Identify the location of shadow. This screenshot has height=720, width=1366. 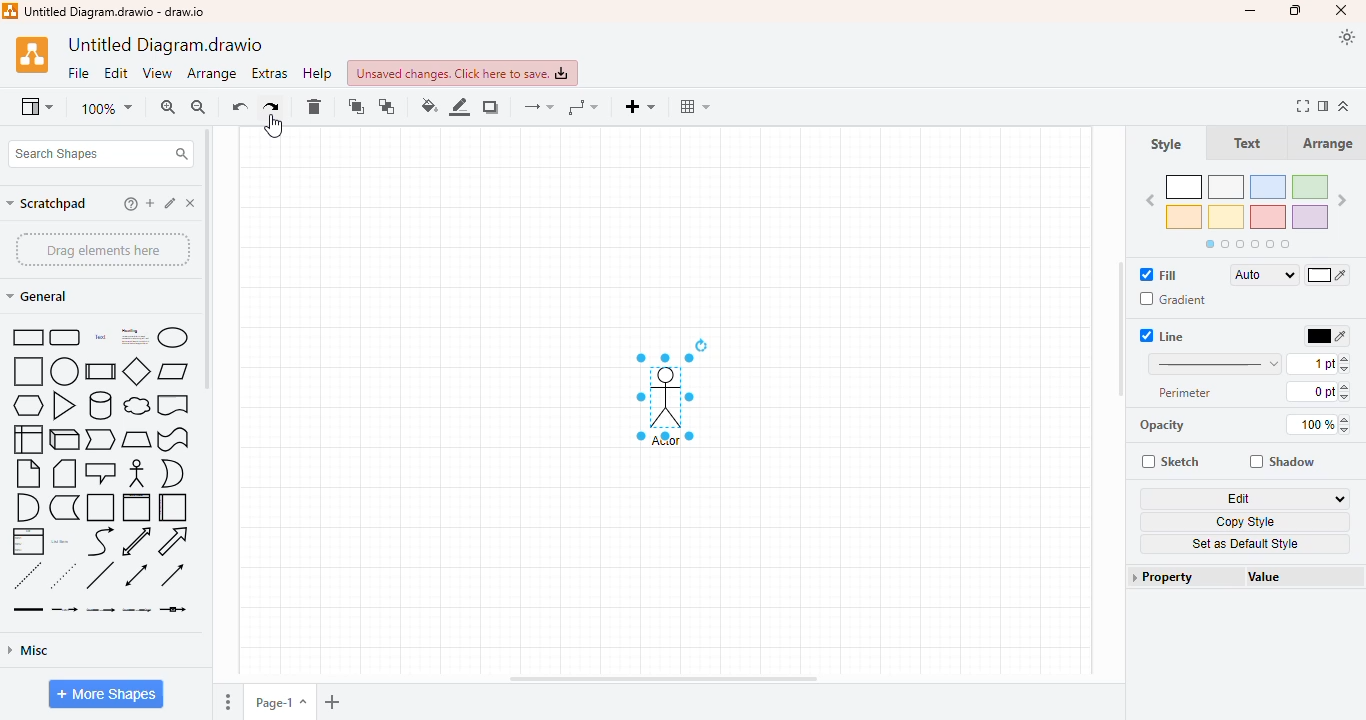
(1282, 462).